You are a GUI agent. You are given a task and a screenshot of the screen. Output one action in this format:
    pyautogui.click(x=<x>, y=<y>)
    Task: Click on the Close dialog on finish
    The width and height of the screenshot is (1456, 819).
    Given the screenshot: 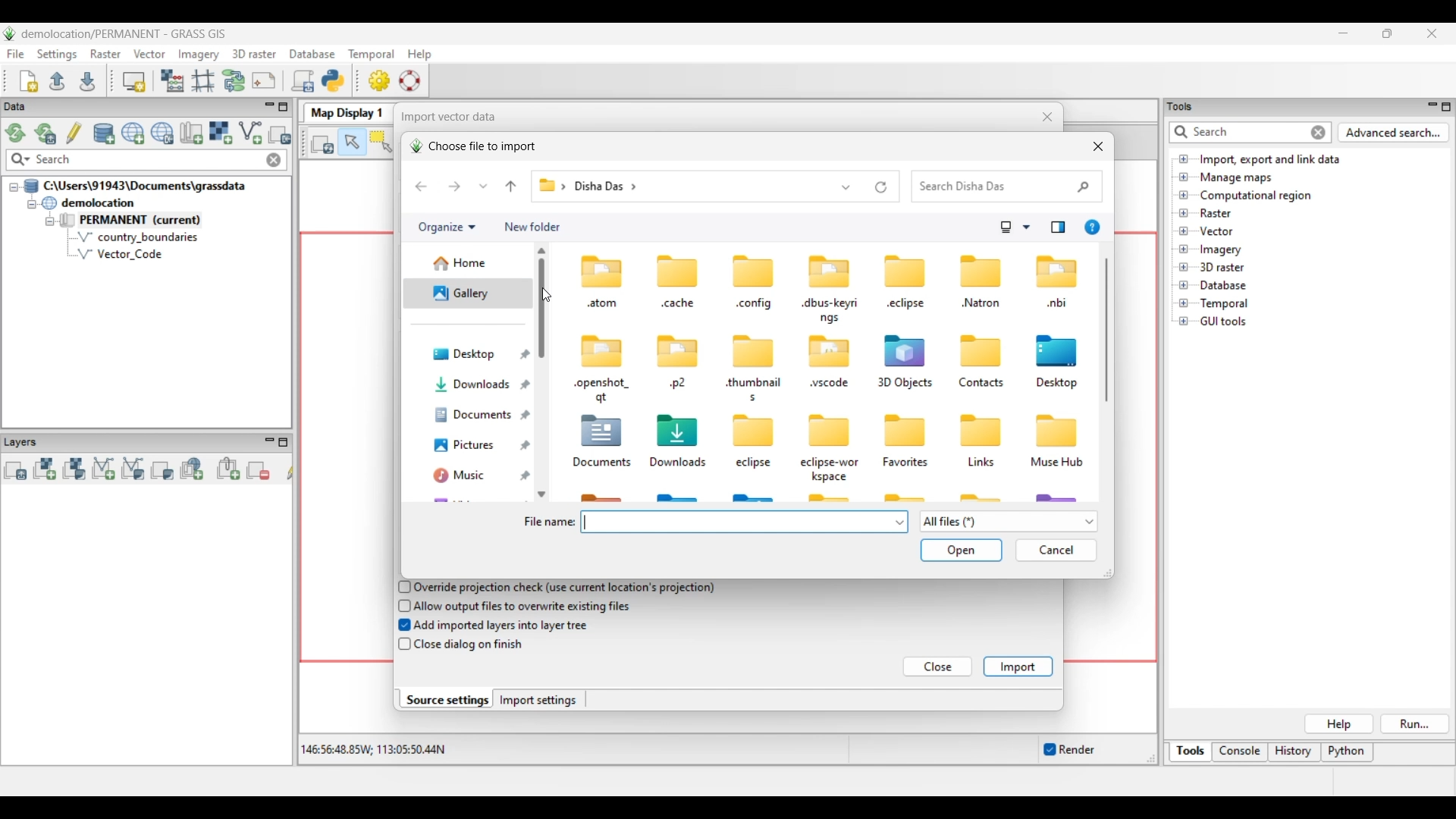 What is the action you would take?
    pyautogui.click(x=471, y=645)
    